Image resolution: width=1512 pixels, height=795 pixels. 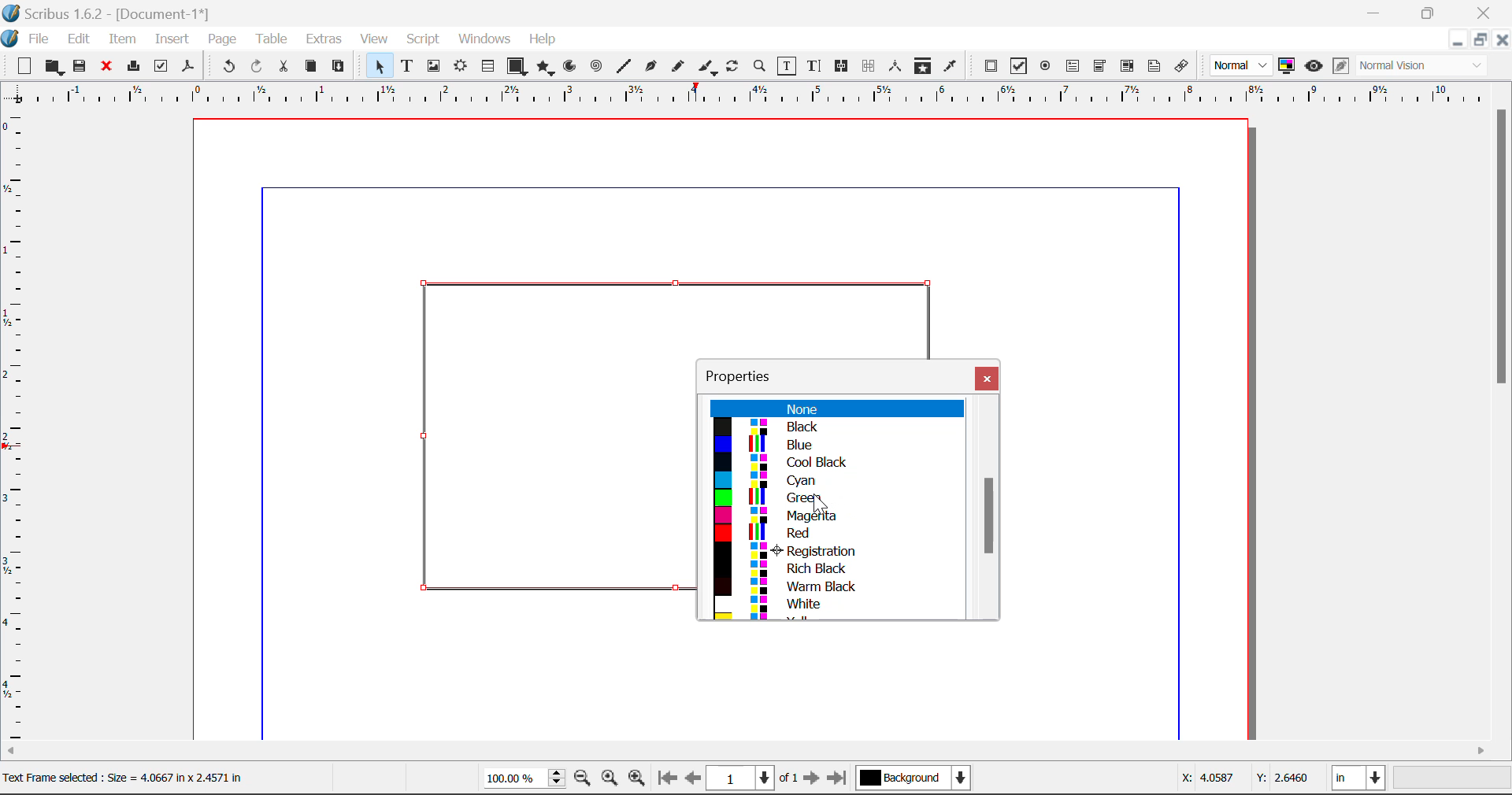 What do you see at coordinates (1314, 66) in the screenshot?
I see `Preview Mode` at bounding box center [1314, 66].